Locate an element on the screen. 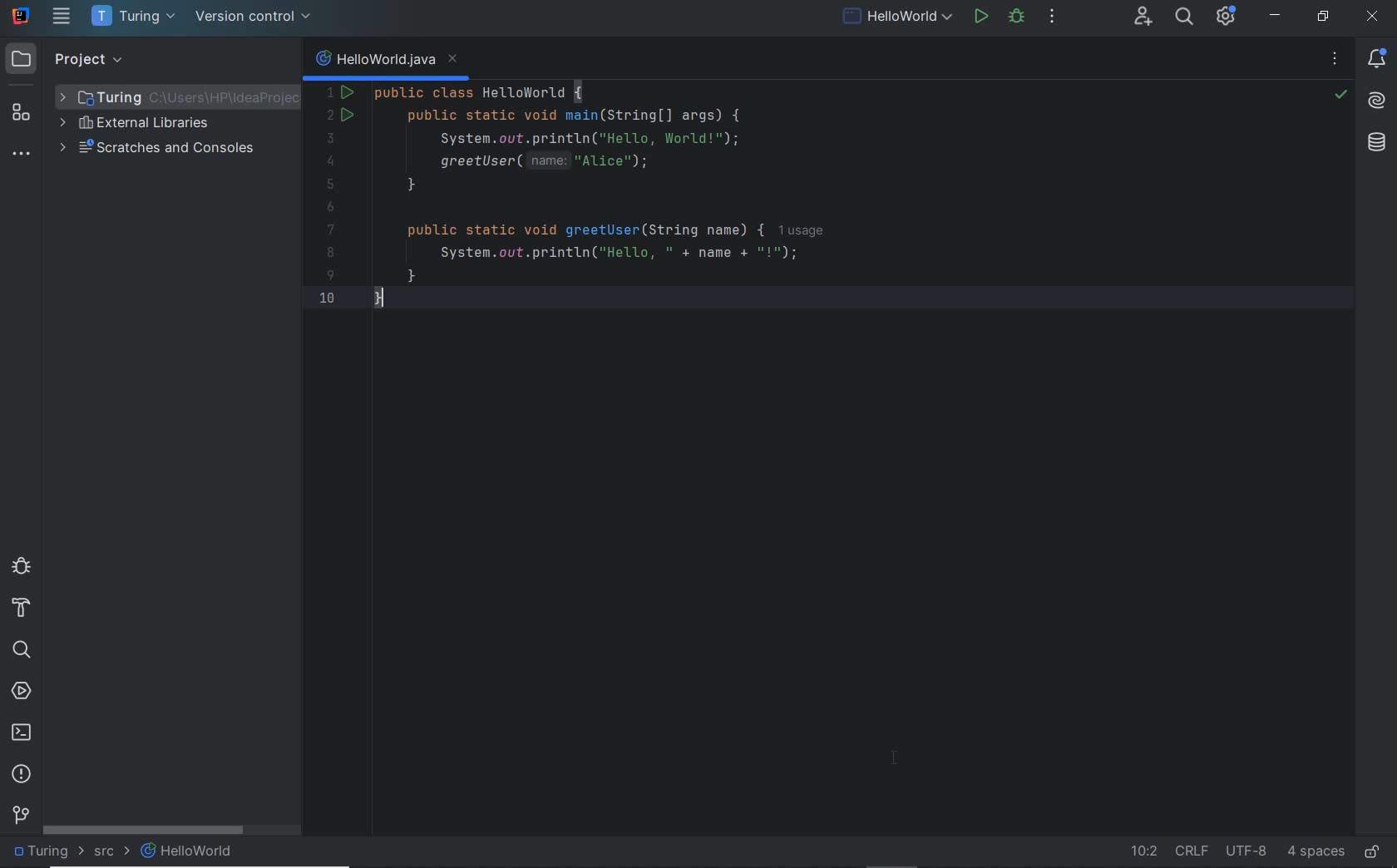 Image resolution: width=1397 pixels, height=868 pixels. HelloWorld is located at coordinates (188, 851).